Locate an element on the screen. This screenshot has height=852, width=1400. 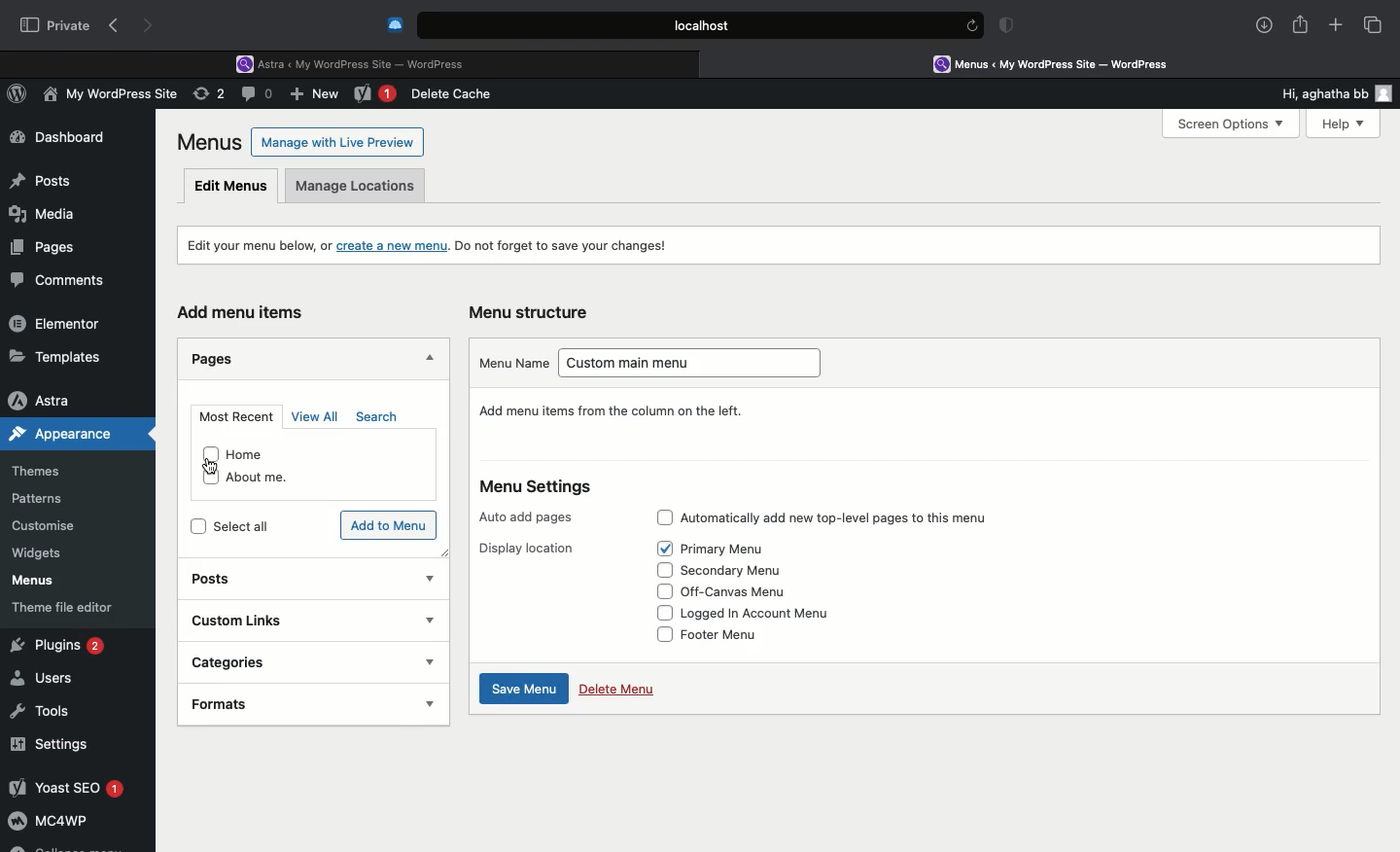
Add to menu is located at coordinates (391, 526).